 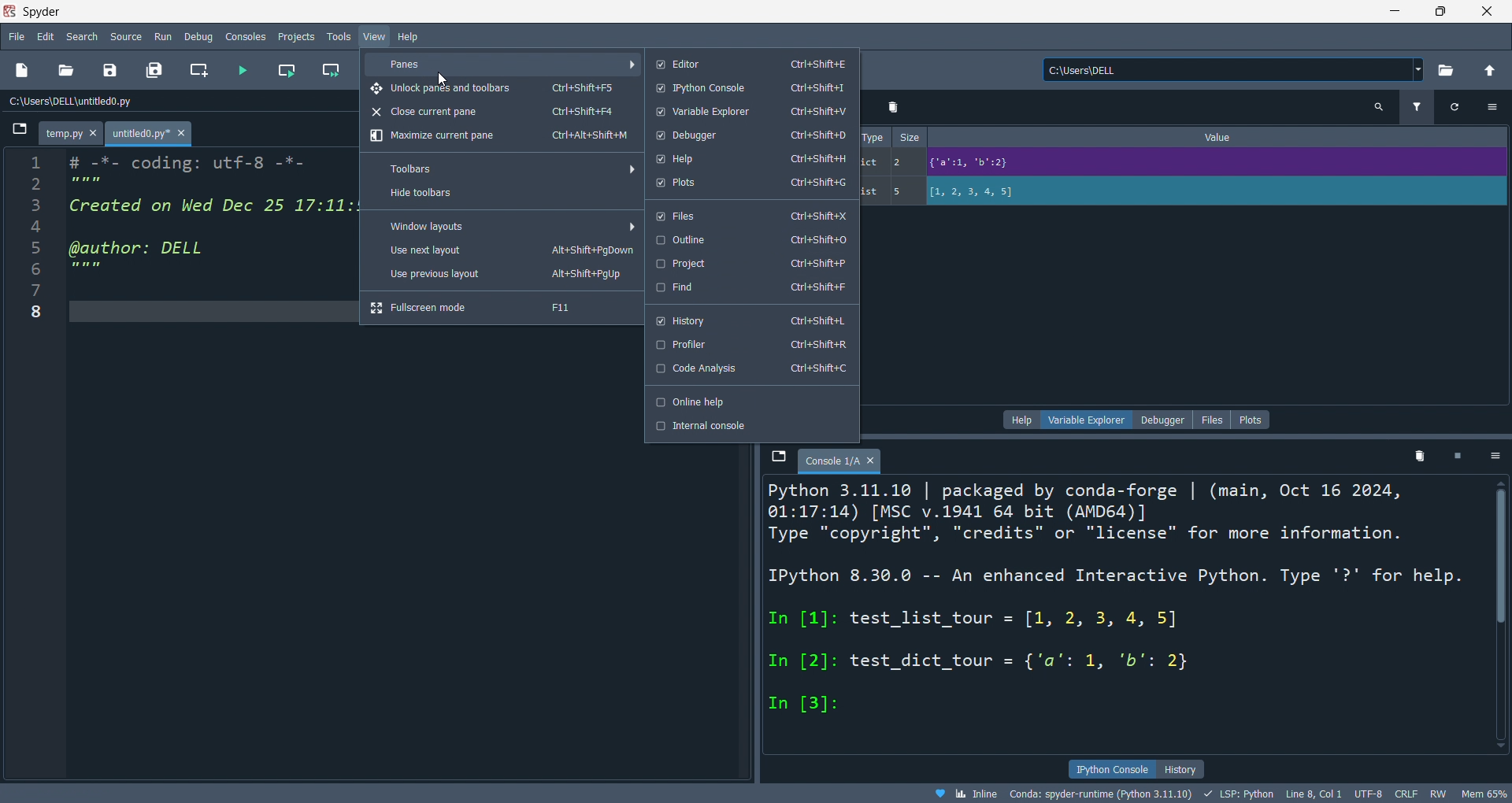 I want to click on maxmize pane, so click(x=502, y=139).